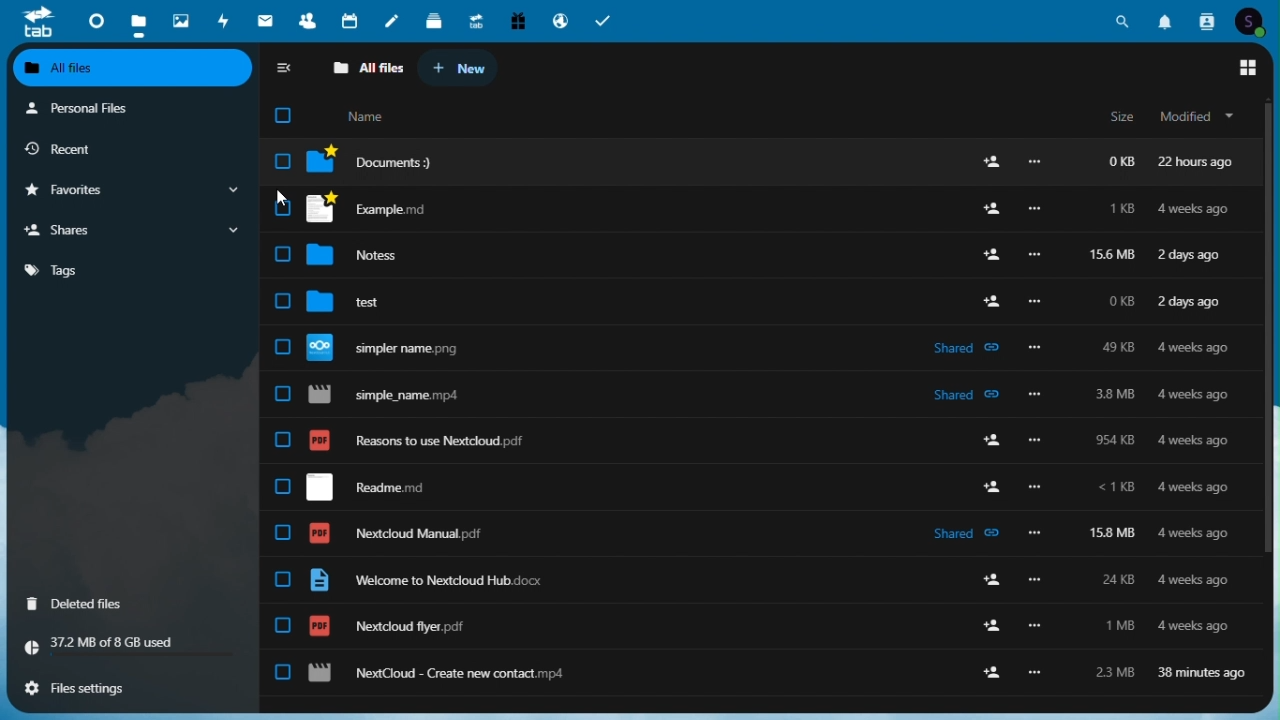 The width and height of the screenshot is (1280, 720). What do you see at coordinates (282, 486) in the screenshot?
I see `check box` at bounding box center [282, 486].